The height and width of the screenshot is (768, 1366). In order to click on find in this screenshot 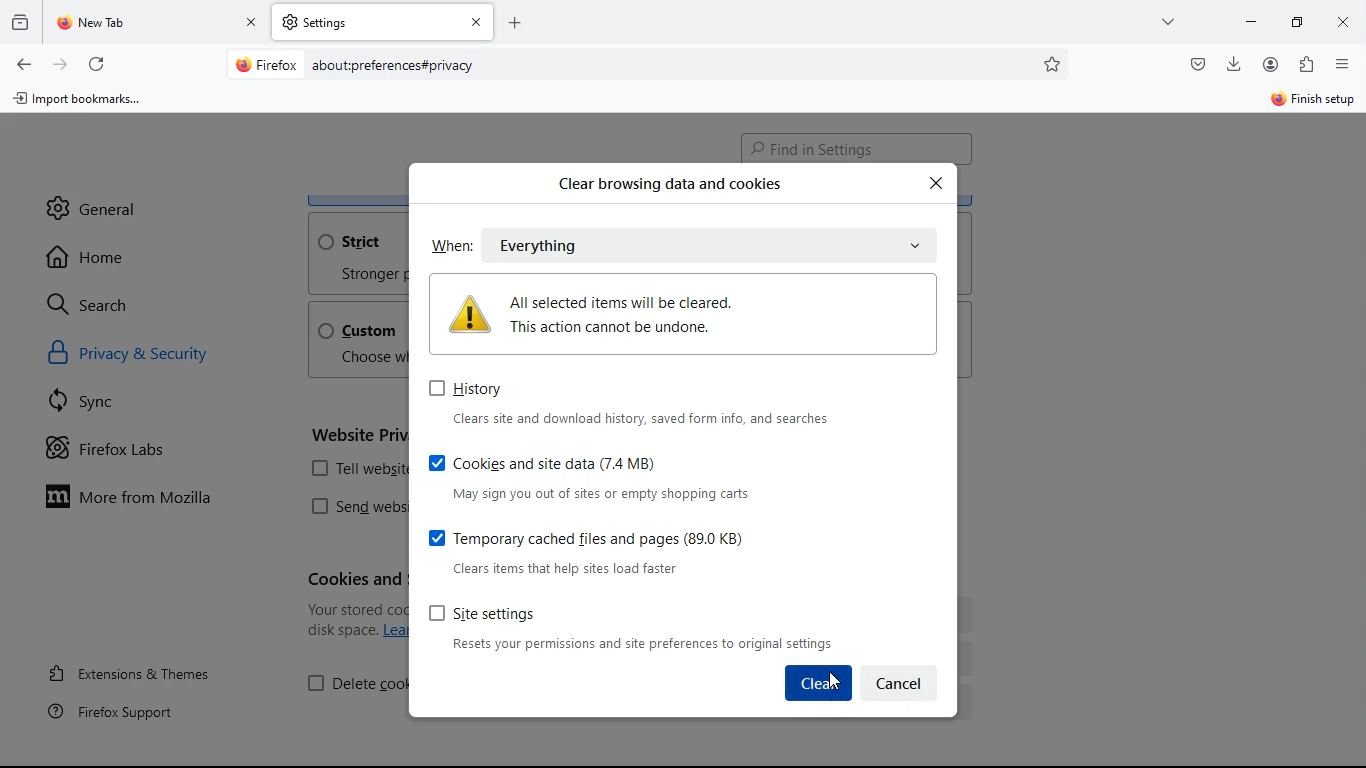, I will do `click(856, 146)`.